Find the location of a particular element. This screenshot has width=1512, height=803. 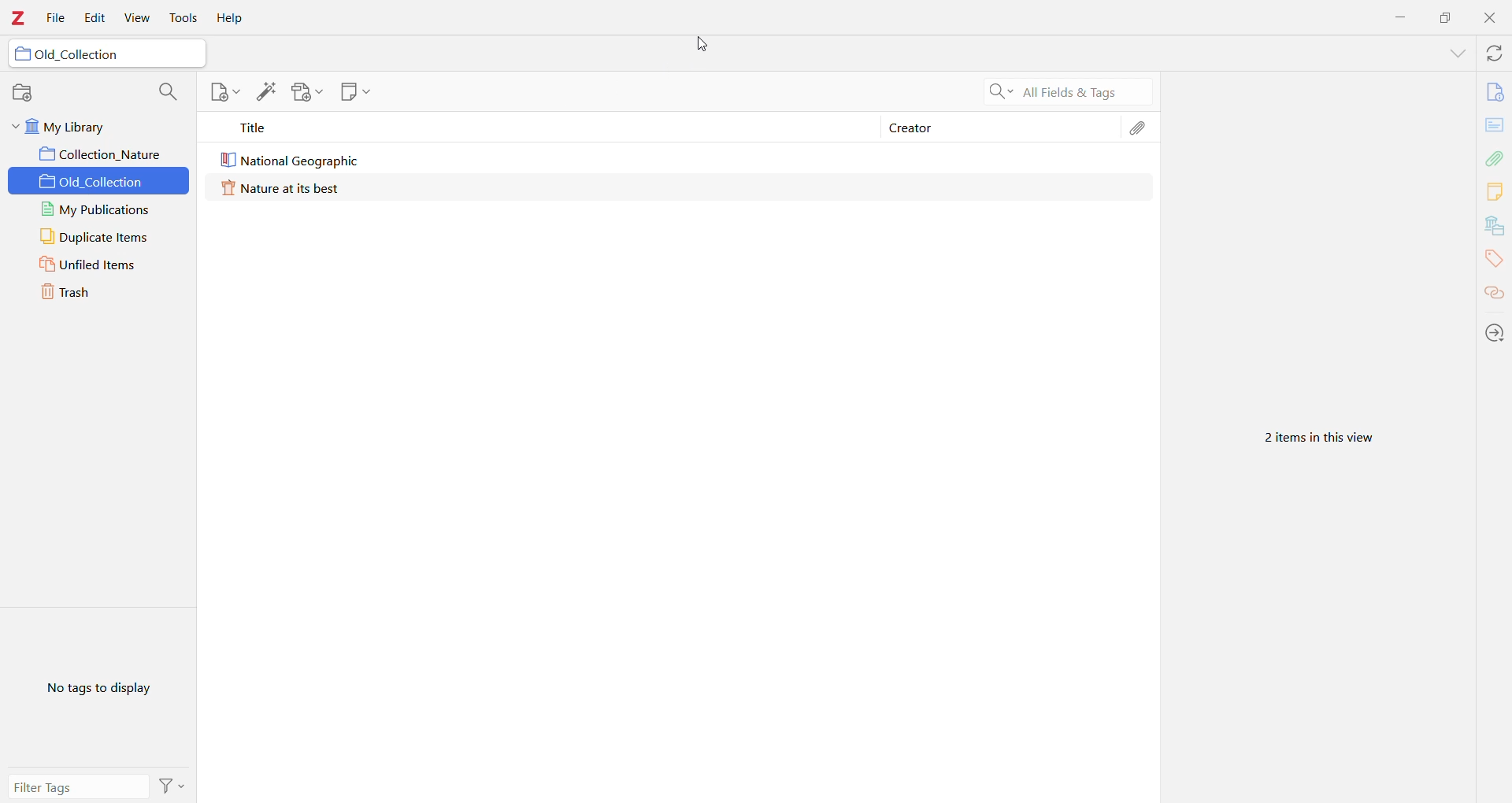

New Collections is located at coordinates (24, 91).